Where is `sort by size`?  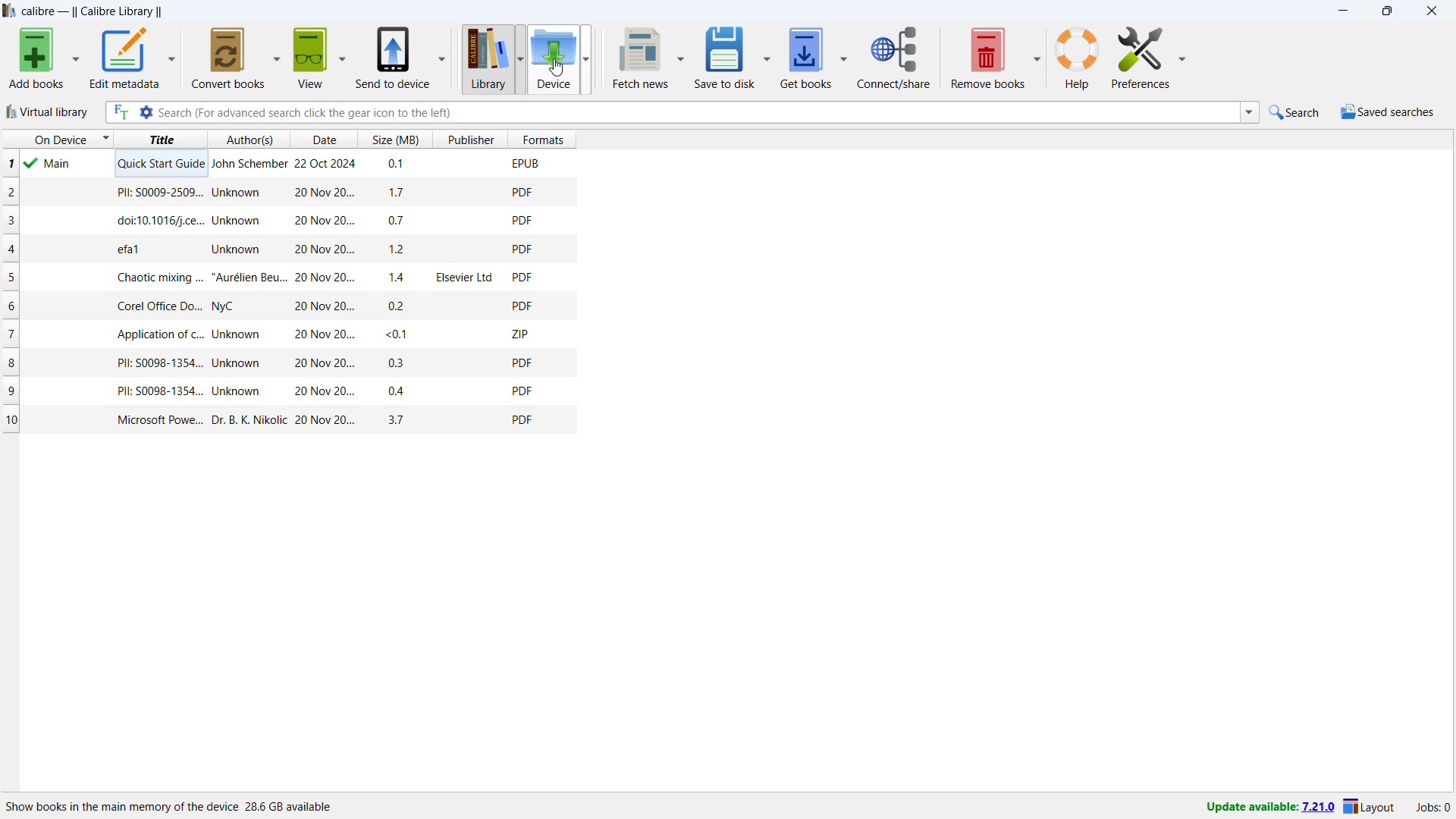
sort by size is located at coordinates (394, 140).